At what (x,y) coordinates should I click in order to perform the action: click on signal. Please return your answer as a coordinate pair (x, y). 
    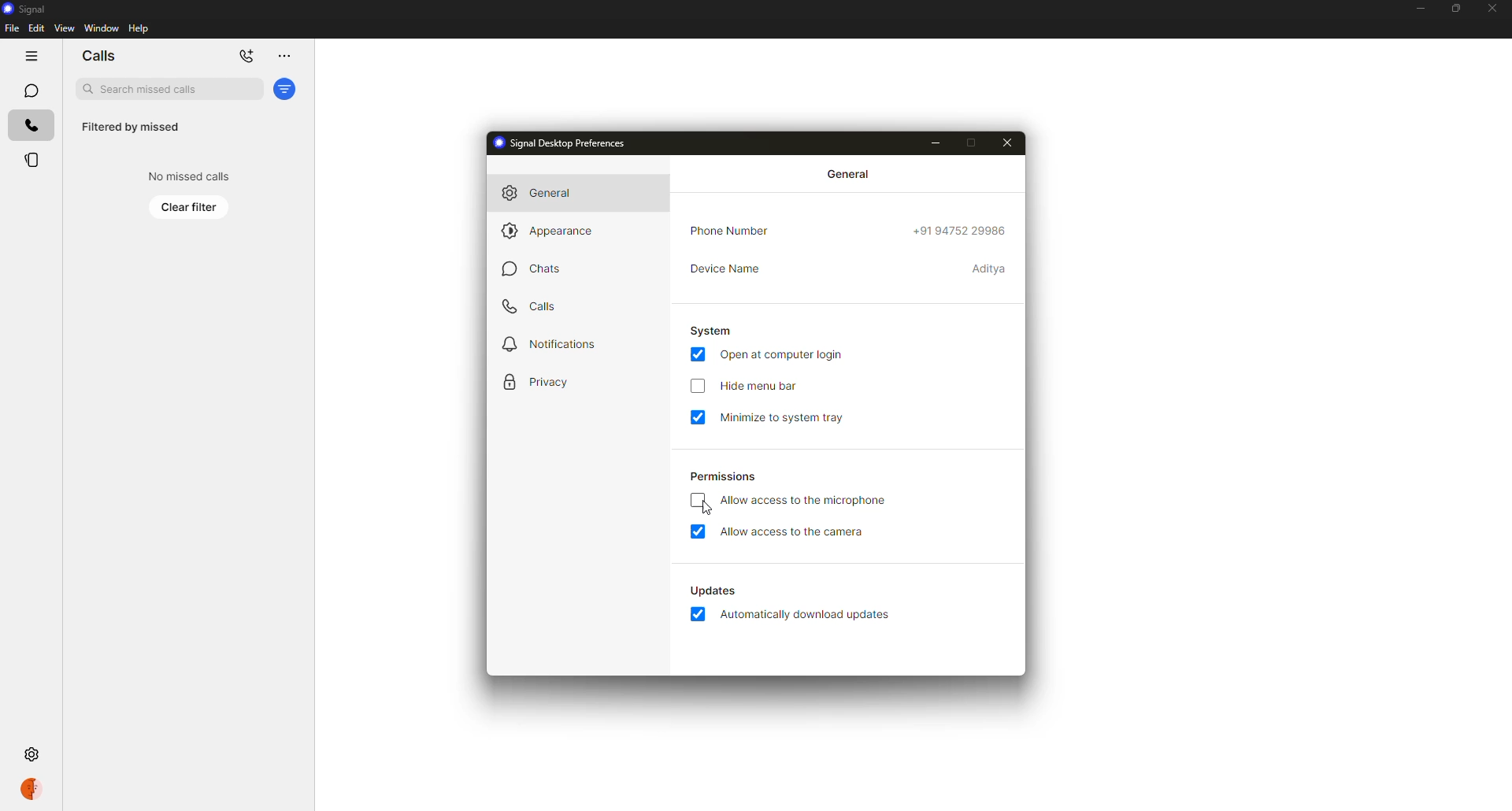
    Looking at the image, I should click on (26, 9).